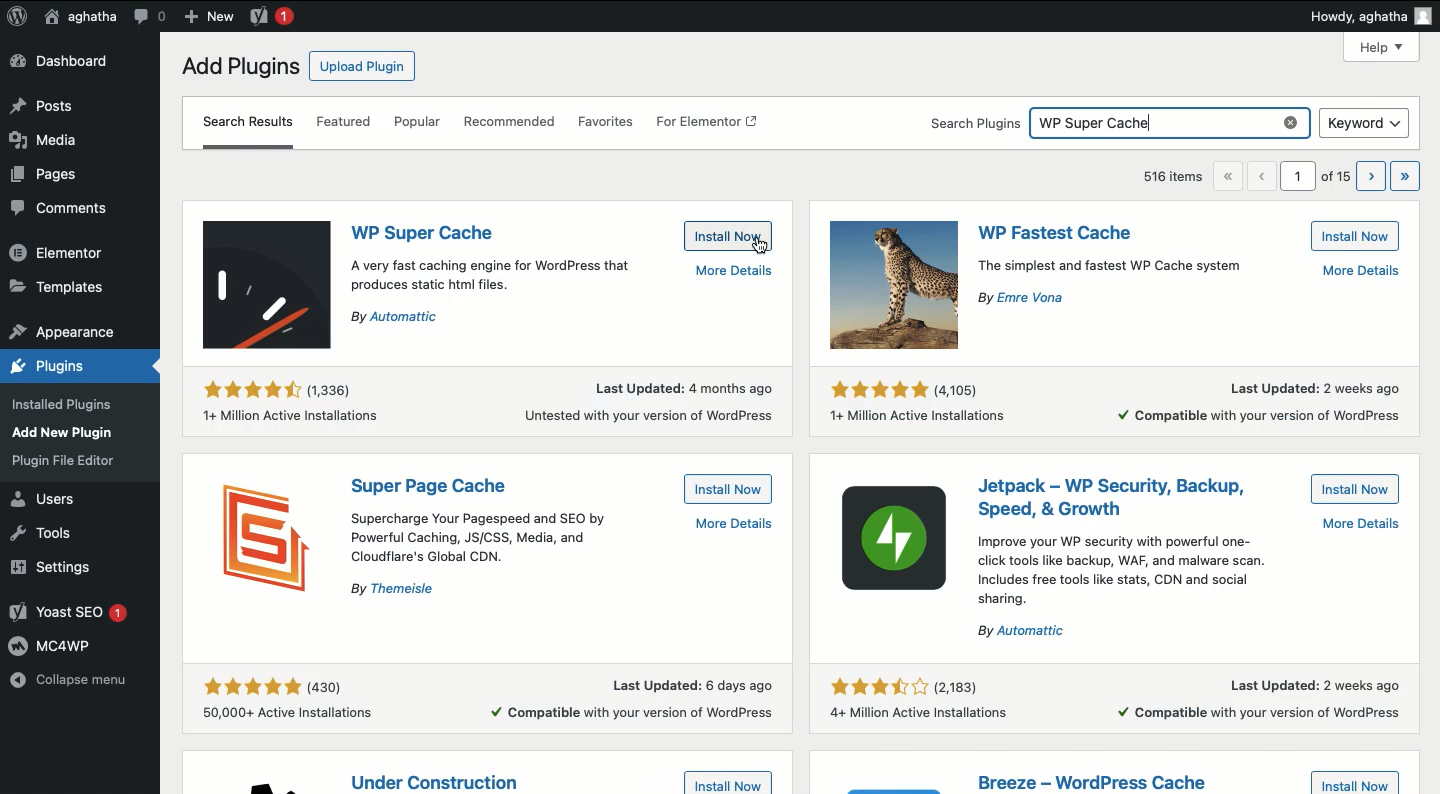 This screenshot has width=1440, height=794. Describe the element at coordinates (1317, 175) in the screenshot. I see `1 of 15` at that location.